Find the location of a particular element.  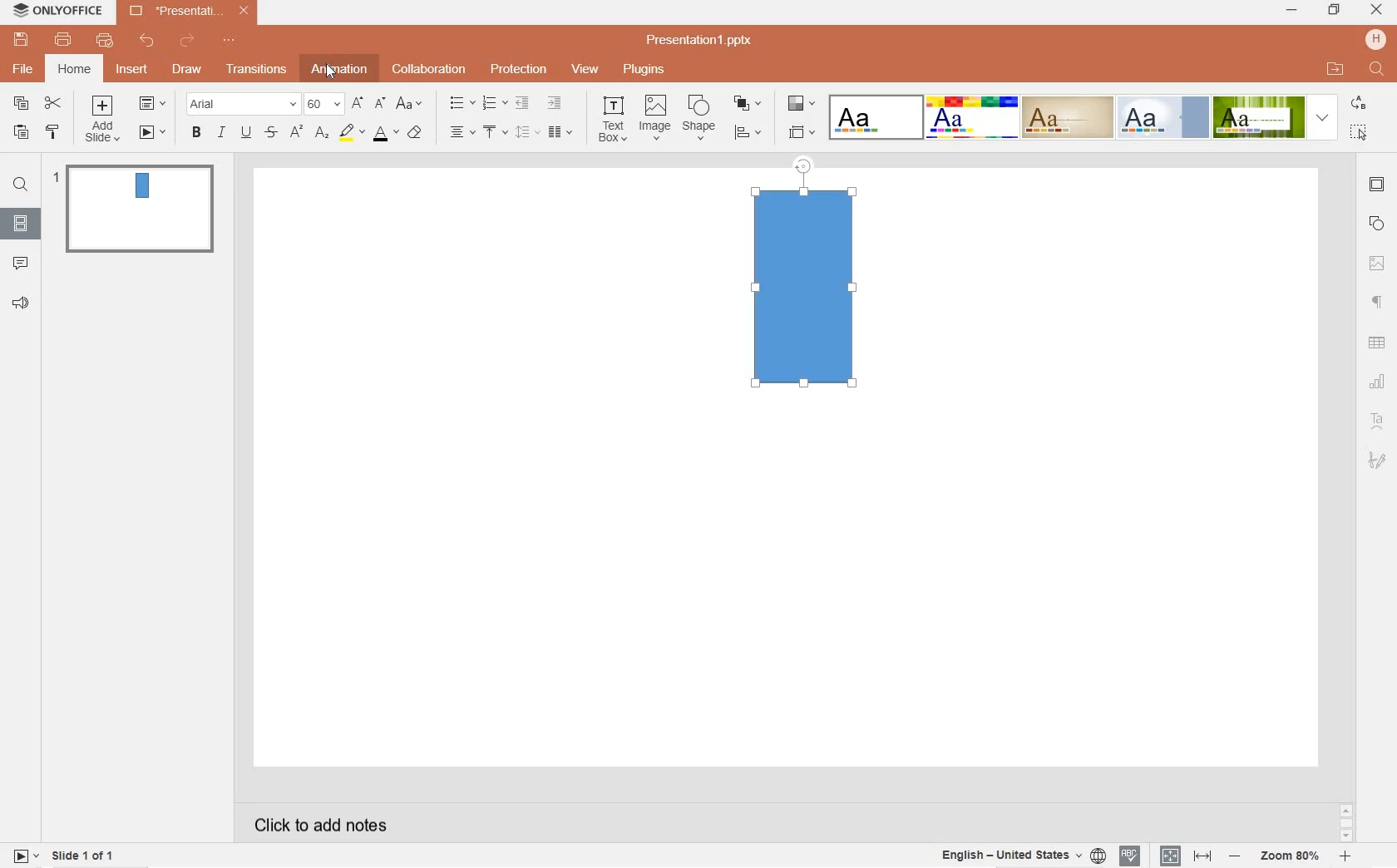

copy style is located at coordinates (54, 134).